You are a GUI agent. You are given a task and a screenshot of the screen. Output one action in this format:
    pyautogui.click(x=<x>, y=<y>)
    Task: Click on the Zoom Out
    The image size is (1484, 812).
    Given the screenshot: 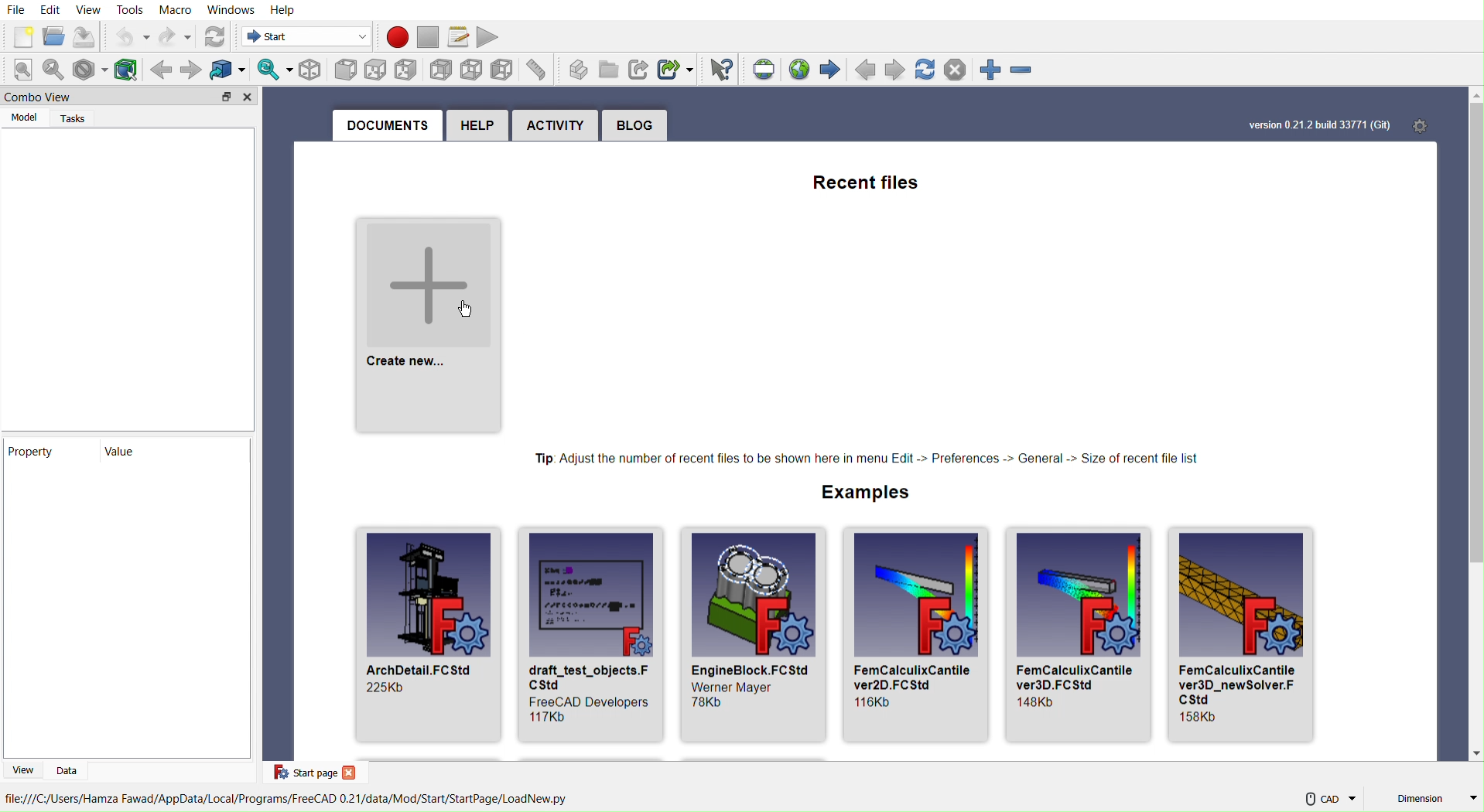 What is the action you would take?
    pyautogui.click(x=1029, y=71)
    